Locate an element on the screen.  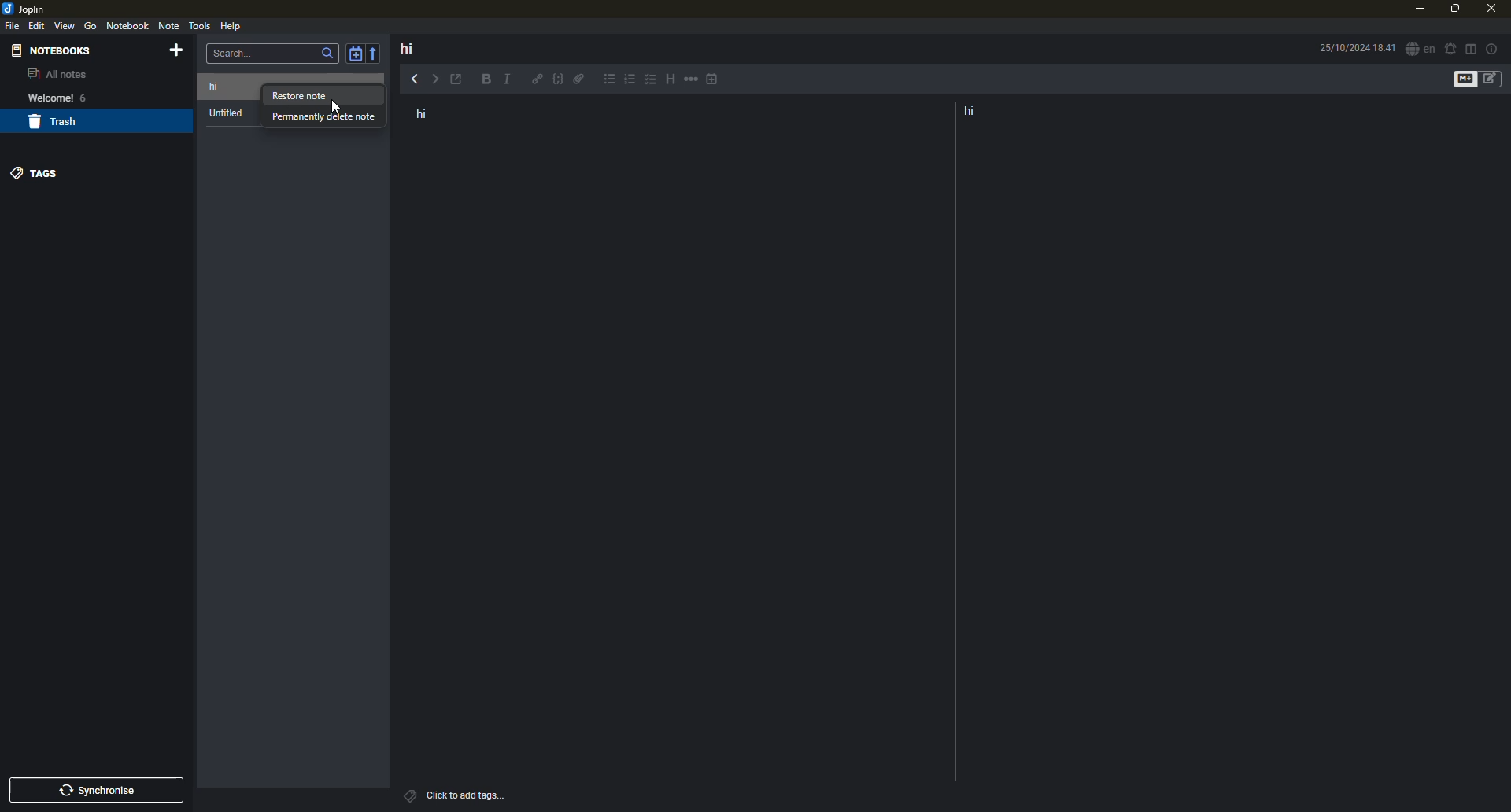
reverse sort order is located at coordinates (377, 52).